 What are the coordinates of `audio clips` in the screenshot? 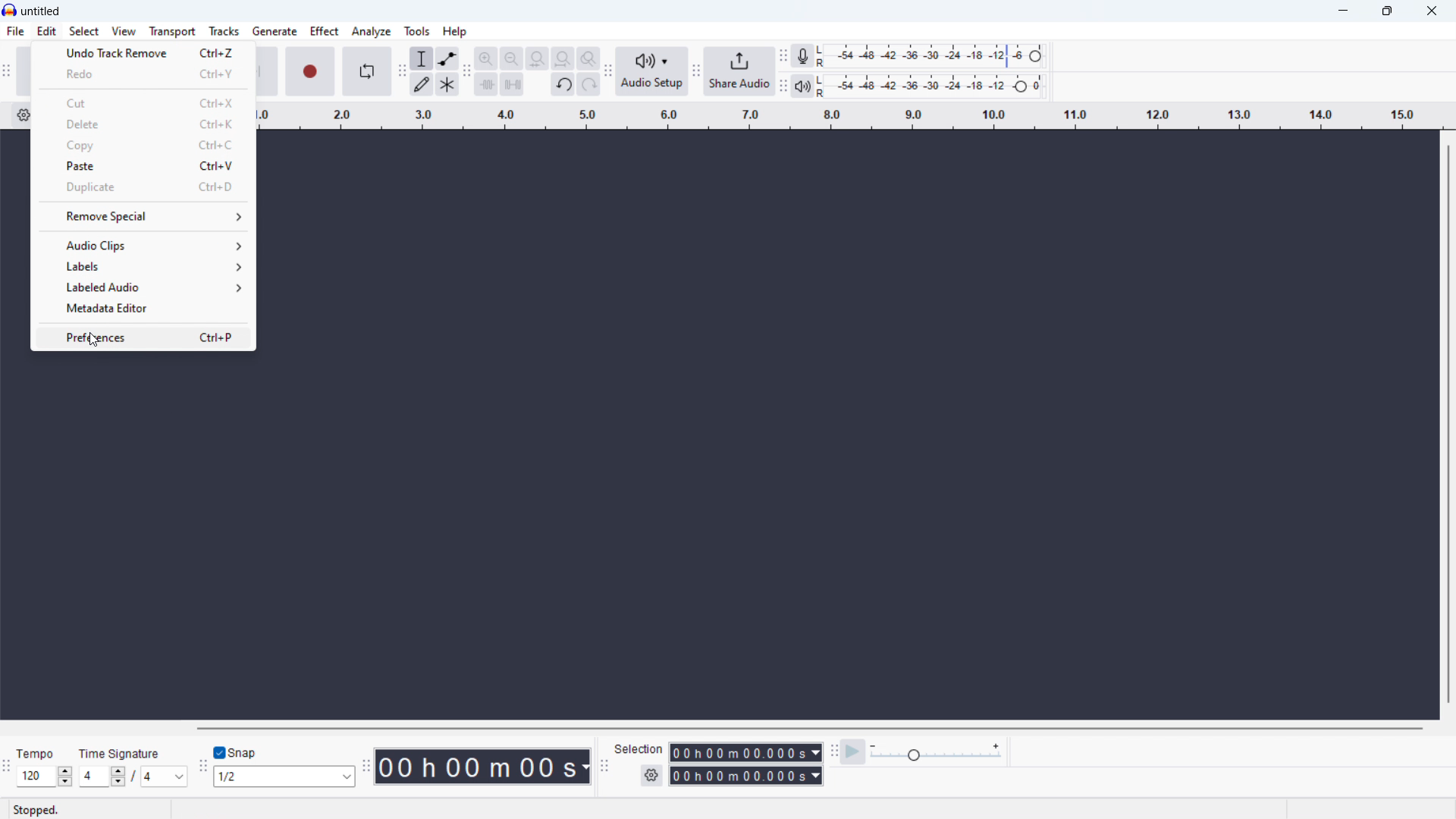 It's located at (143, 244).